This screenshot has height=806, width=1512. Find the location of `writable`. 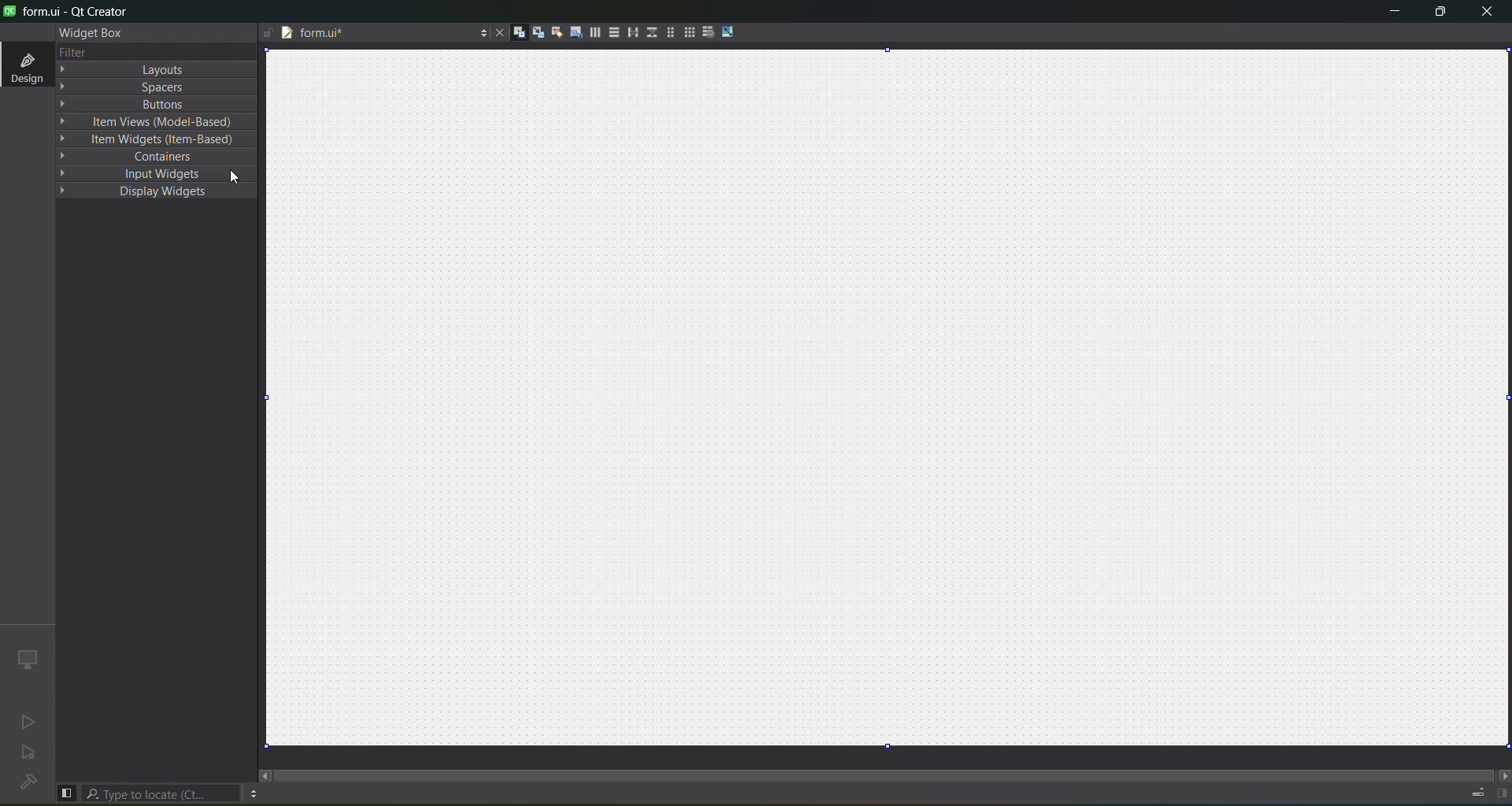

writable is located at coordinates (265, 33).